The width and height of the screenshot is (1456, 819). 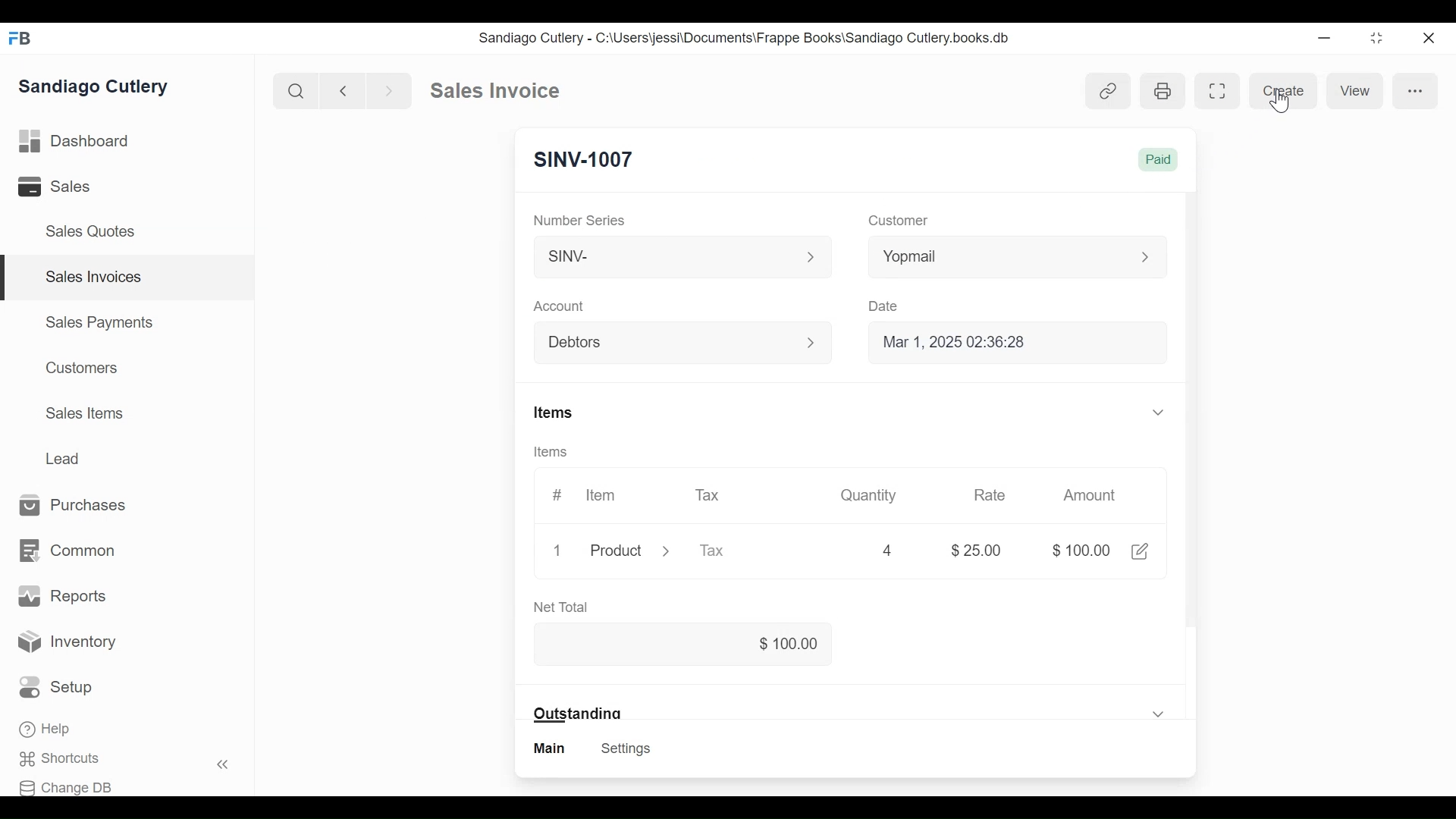 I want to click on Customers, so click(x=83, y=367).